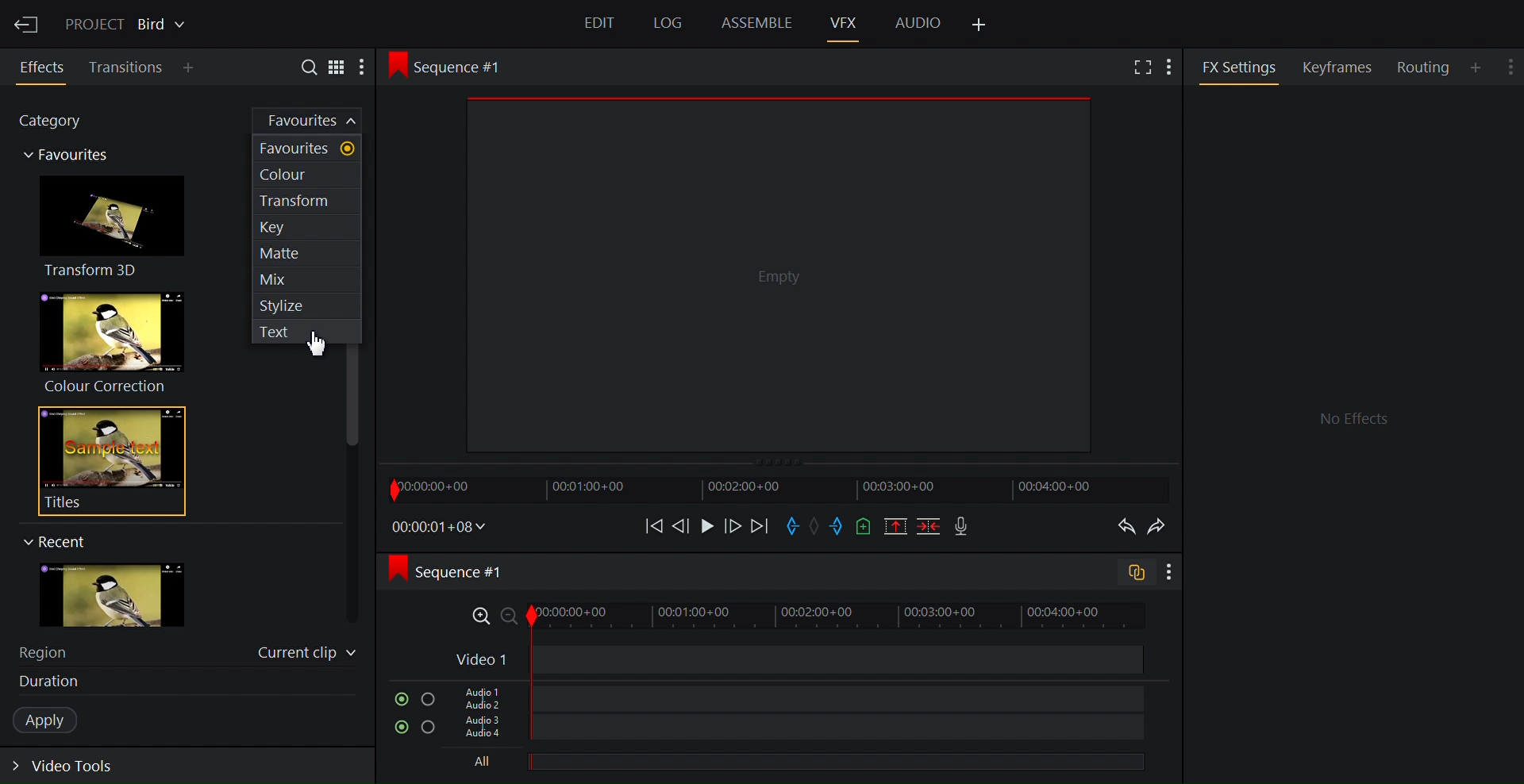 The image size is (1524, 784). I want to click on VFX, so click(845, 22).